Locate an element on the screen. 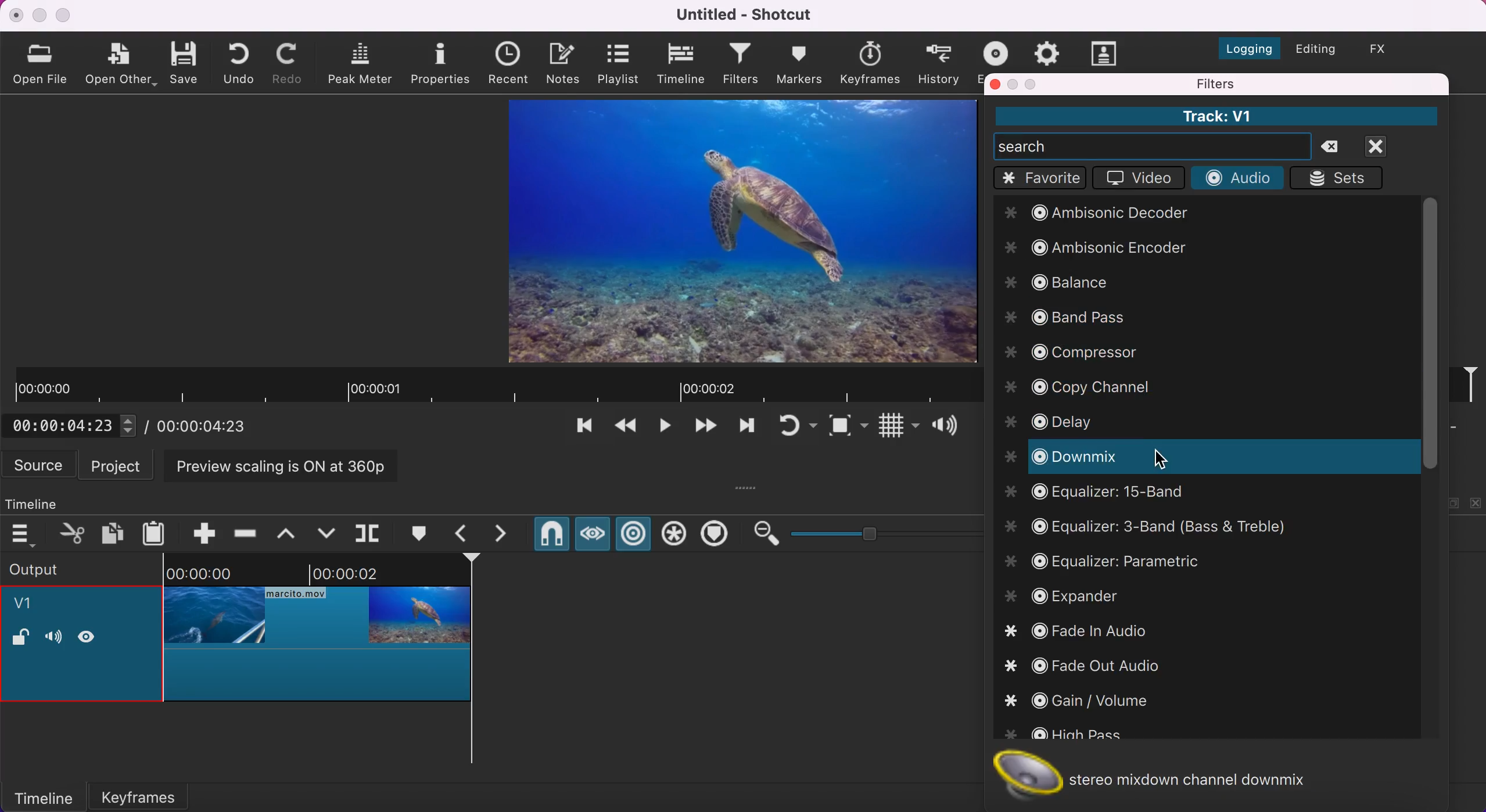 This screenshot has height=812, width=1486. zoom graduation is located at coordinates (903, 534).